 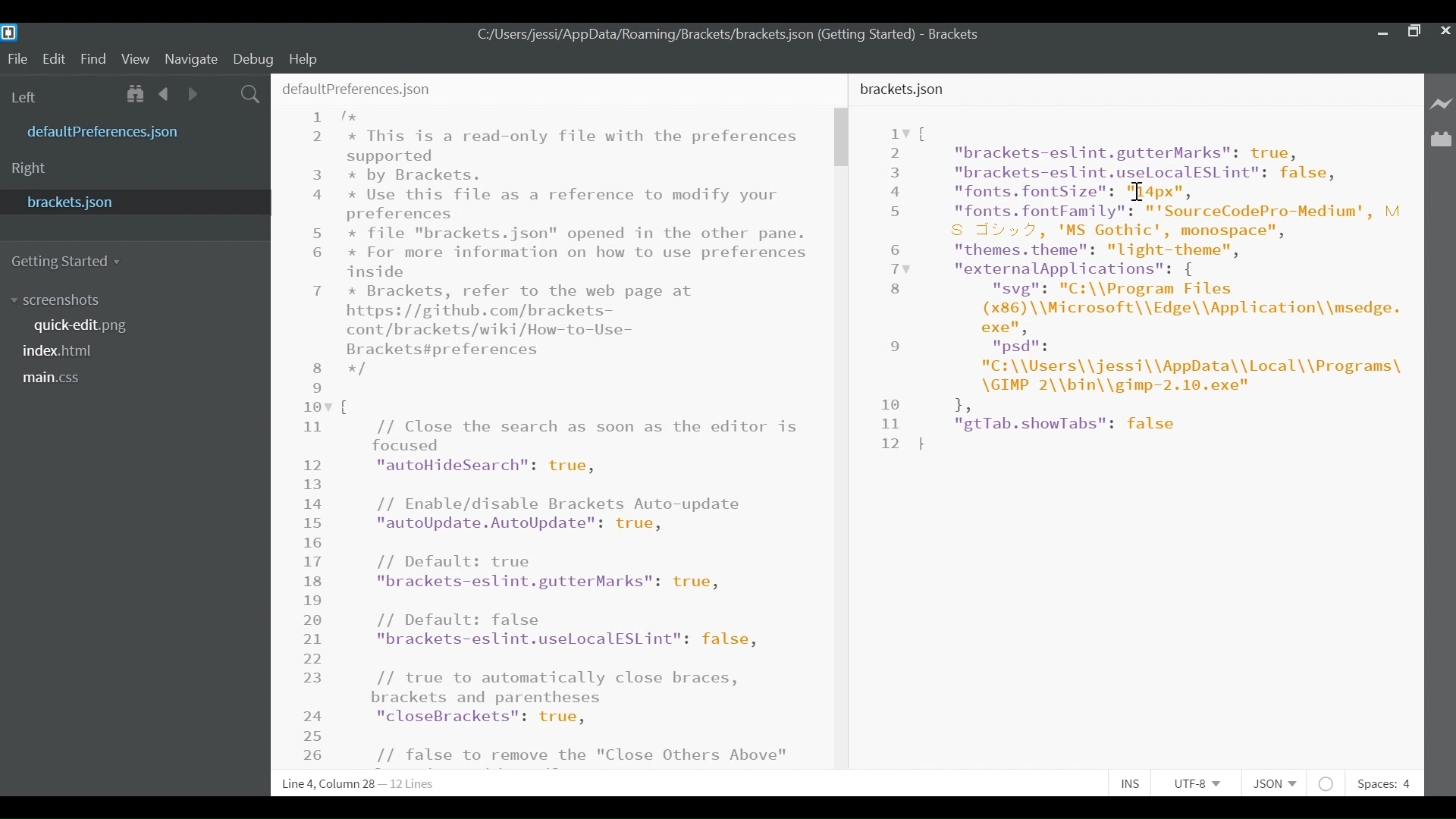 I want to click on defaultPreference.json File, so click(x=108, y=133).